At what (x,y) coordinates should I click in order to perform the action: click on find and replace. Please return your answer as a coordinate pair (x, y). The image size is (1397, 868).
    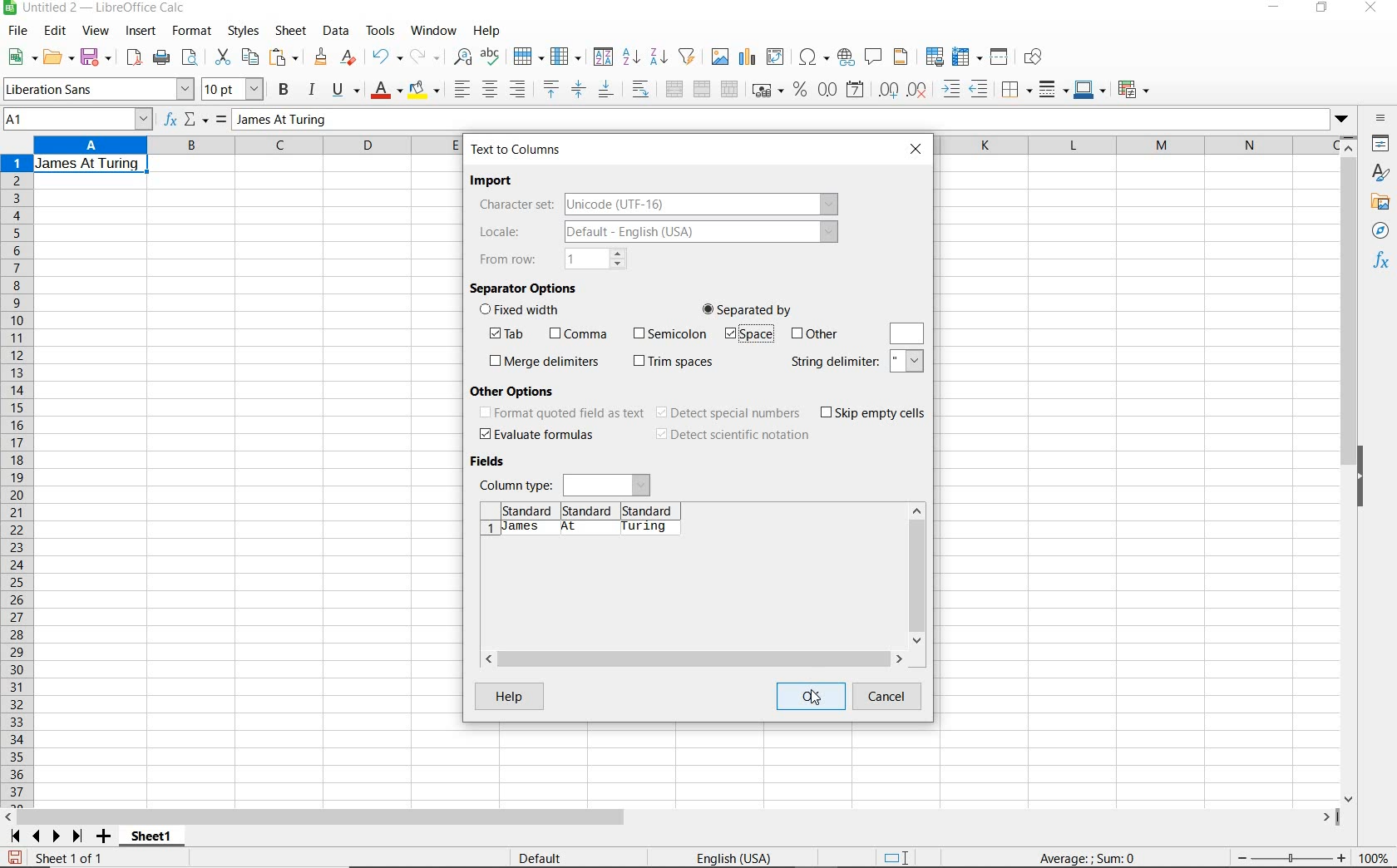
    Looking at the image, I should click on (464, 57).